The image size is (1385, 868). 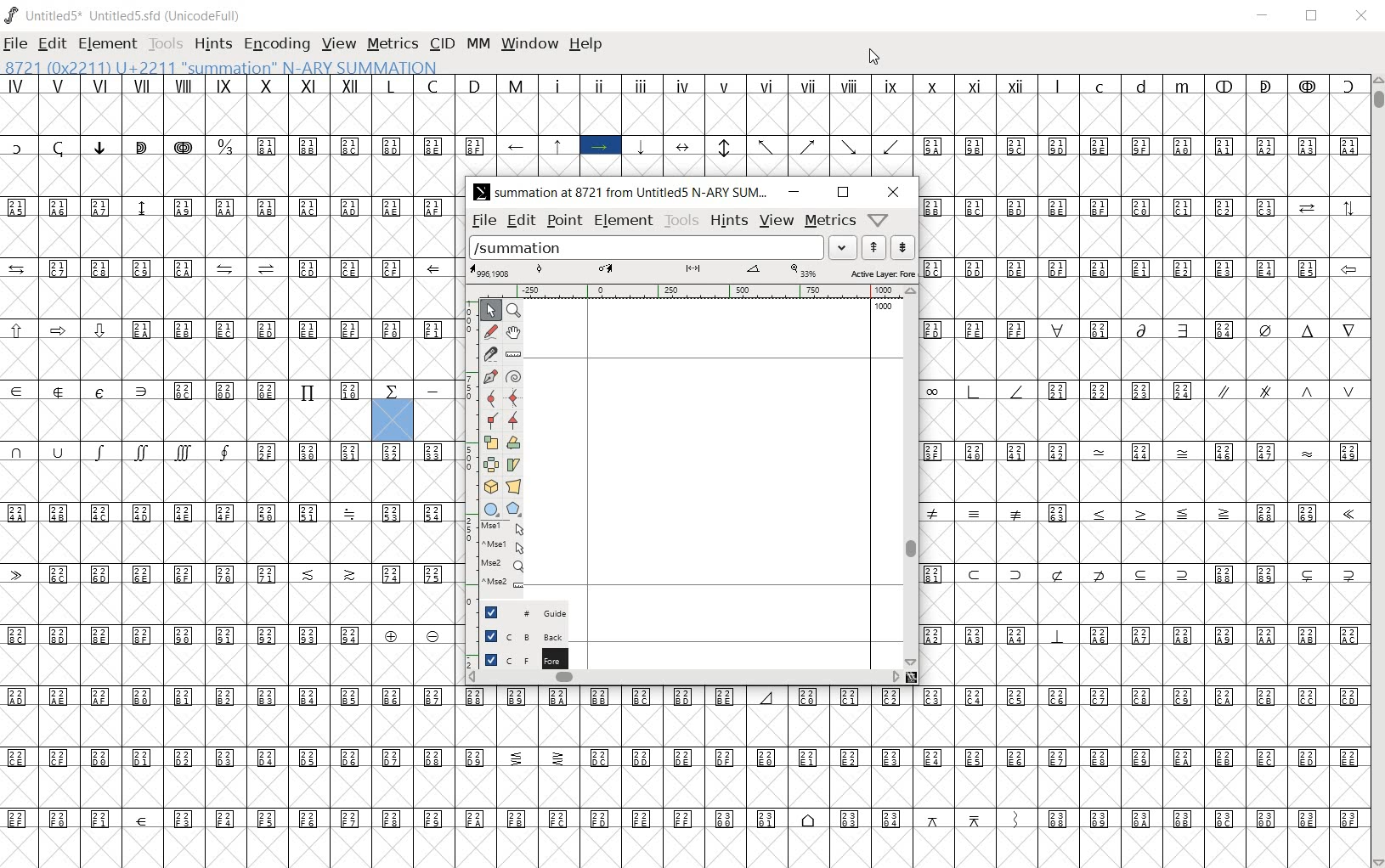 I want to click on MINIMIZE, so click(x=1263, y=16).